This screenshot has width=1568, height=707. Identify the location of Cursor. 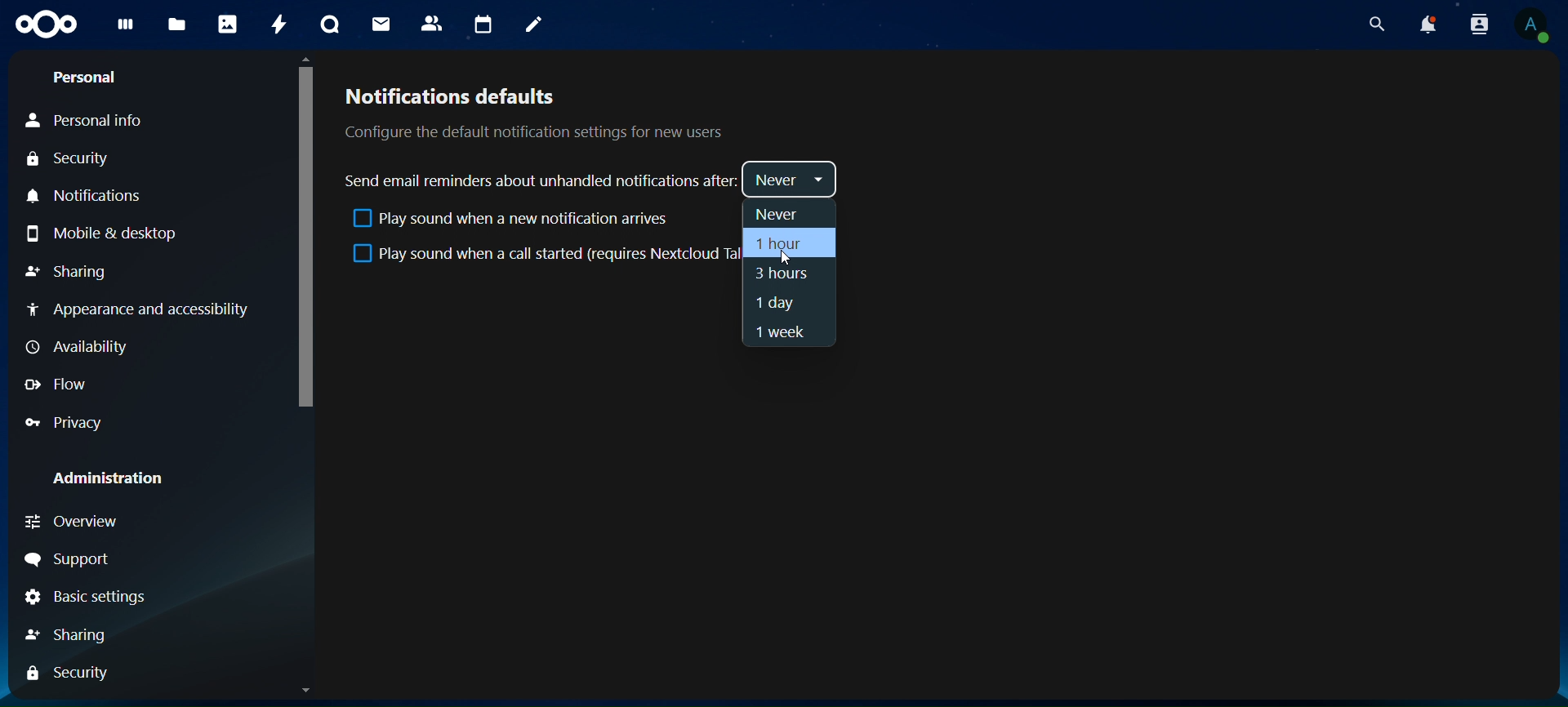
(783, 259).